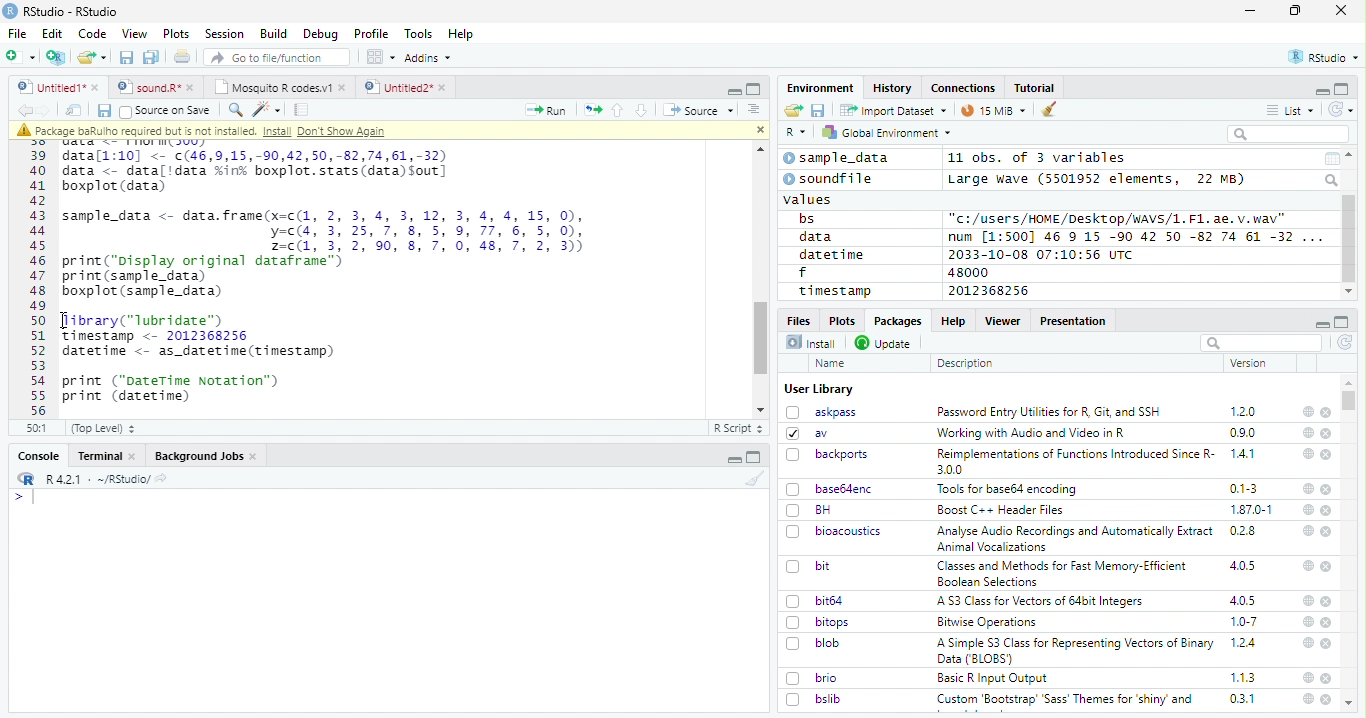 The width and height of the screenshot is (1366, 718). I want to click on package baRulho required but is not installed. Intall Don't show again., so click(207, 131).